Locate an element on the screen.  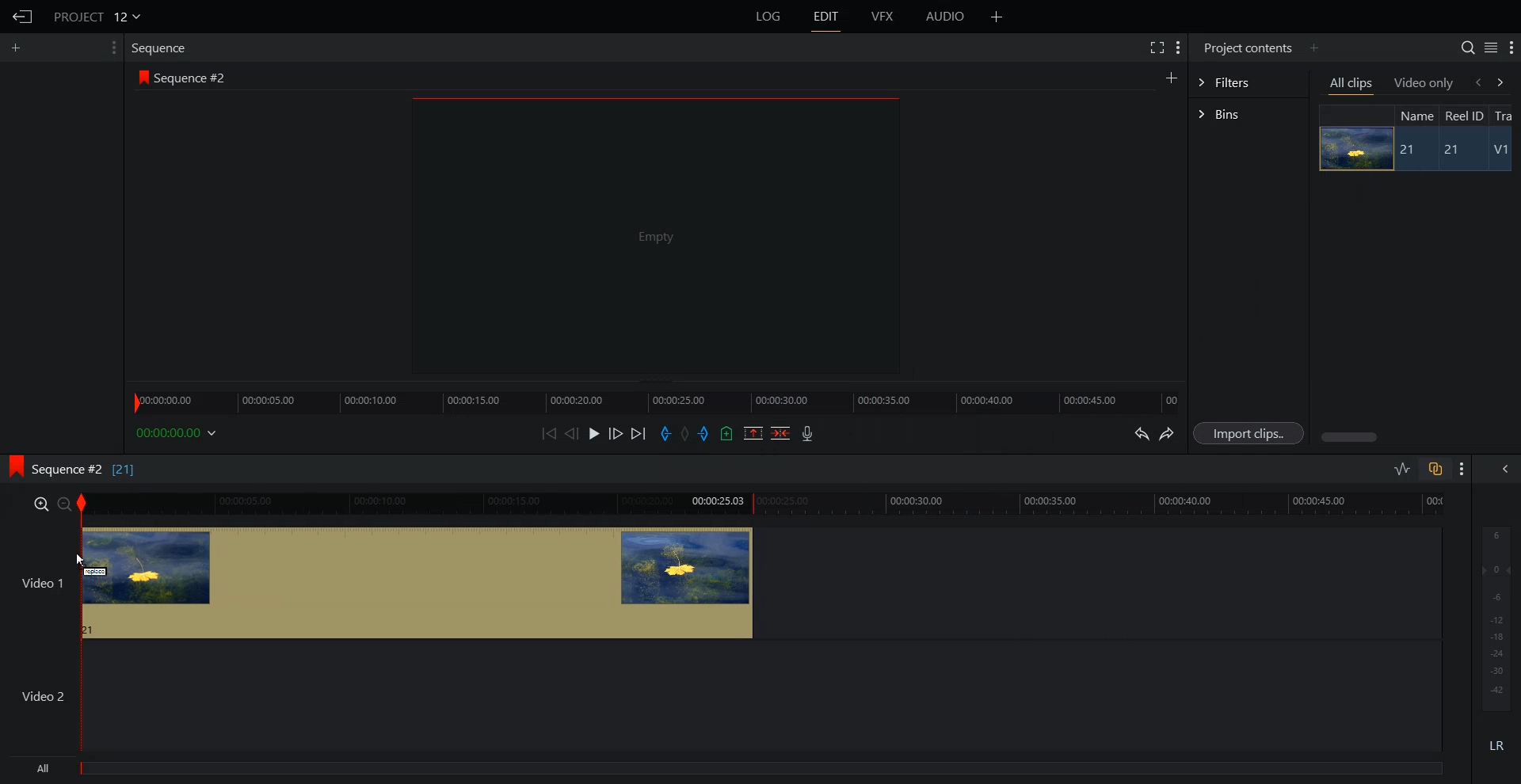
21 is located at coordinates (1409, 150).